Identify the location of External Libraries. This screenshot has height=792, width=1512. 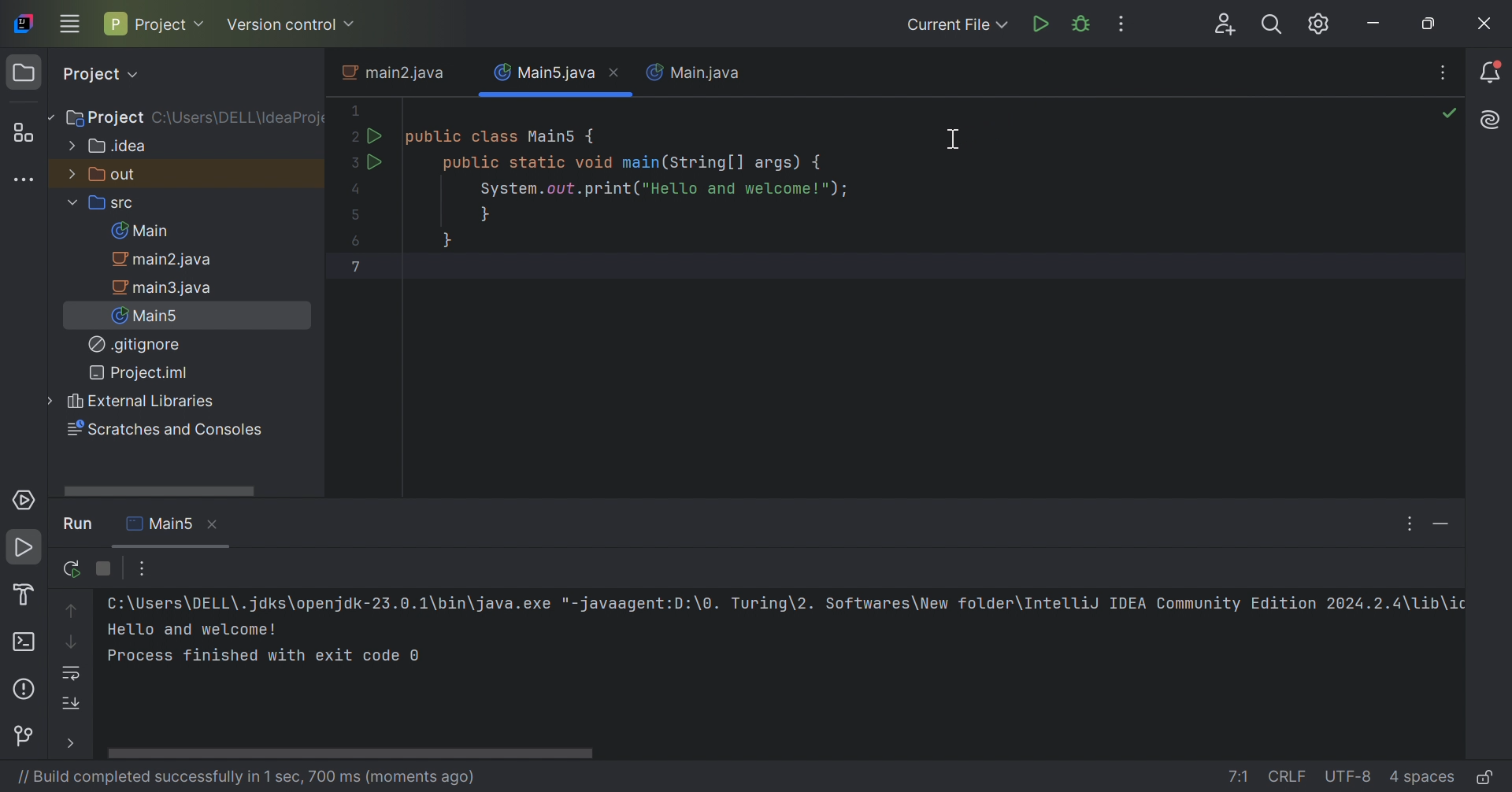
(137, 400).